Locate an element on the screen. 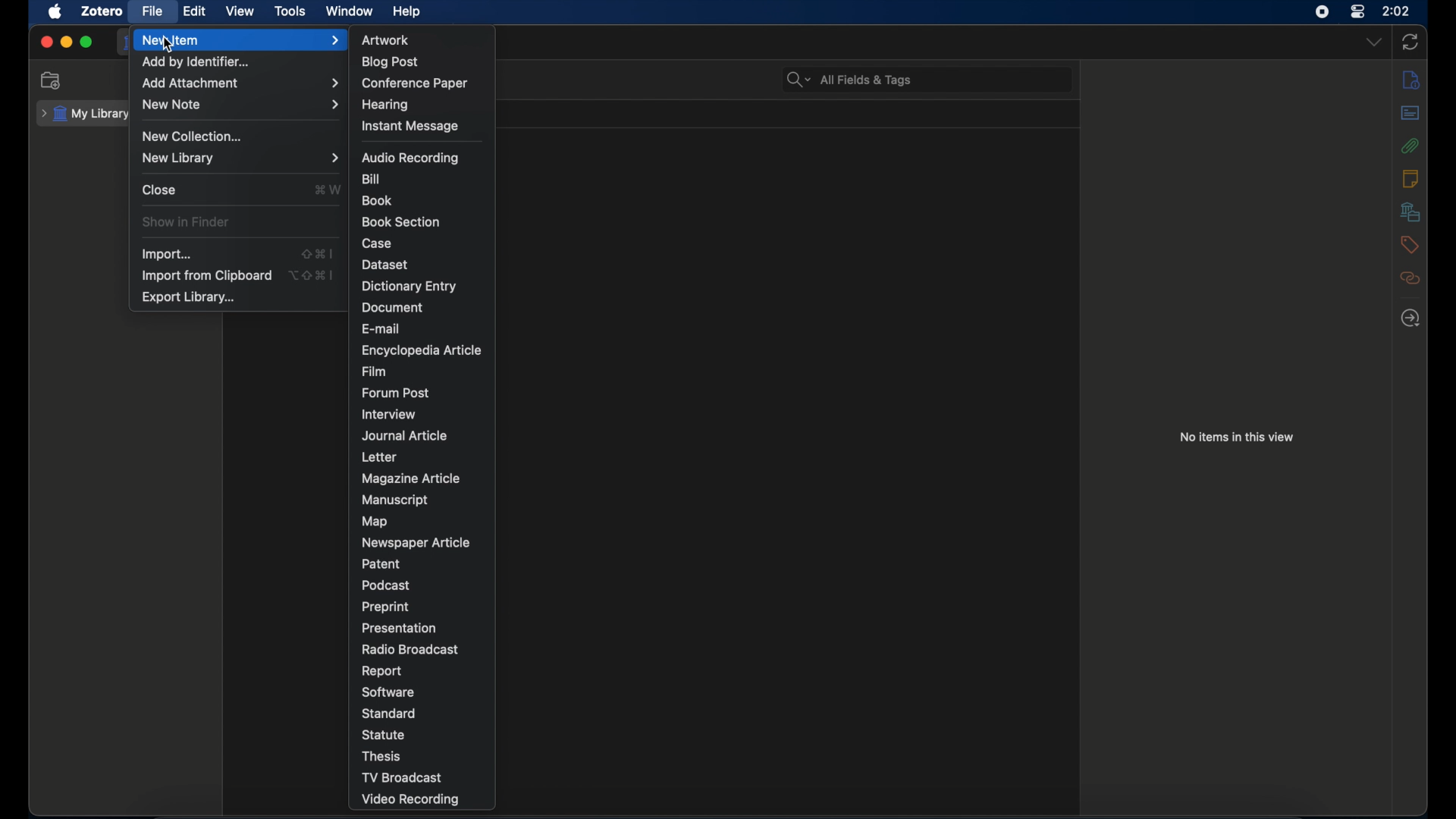 The height and width of the screenshot is (819, 1456). add attachment is located at coordinates (240, 84).